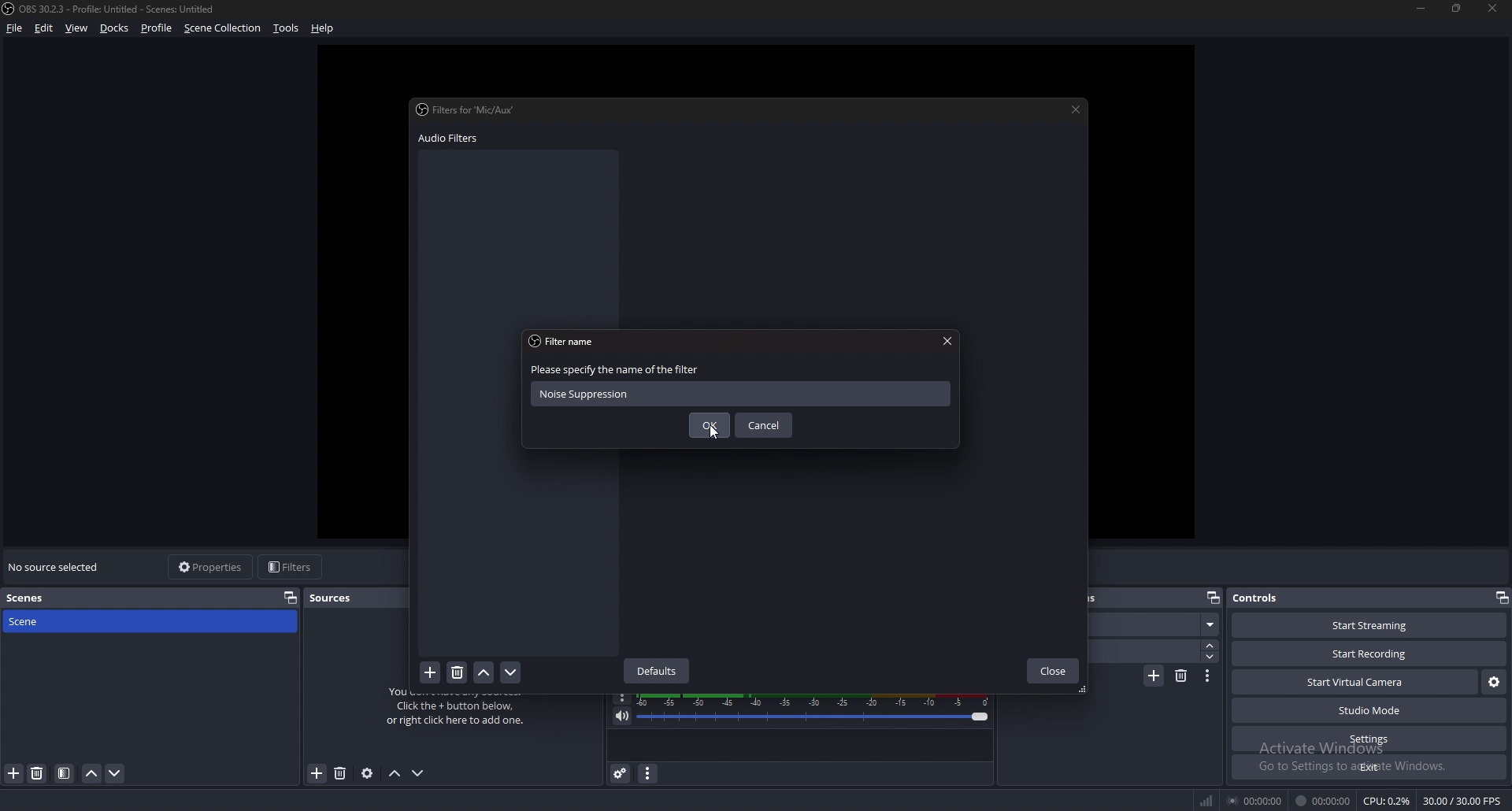 The width and height of the screenshot is (1512, 811). I want to click on start streaming, so click(1369, 626).